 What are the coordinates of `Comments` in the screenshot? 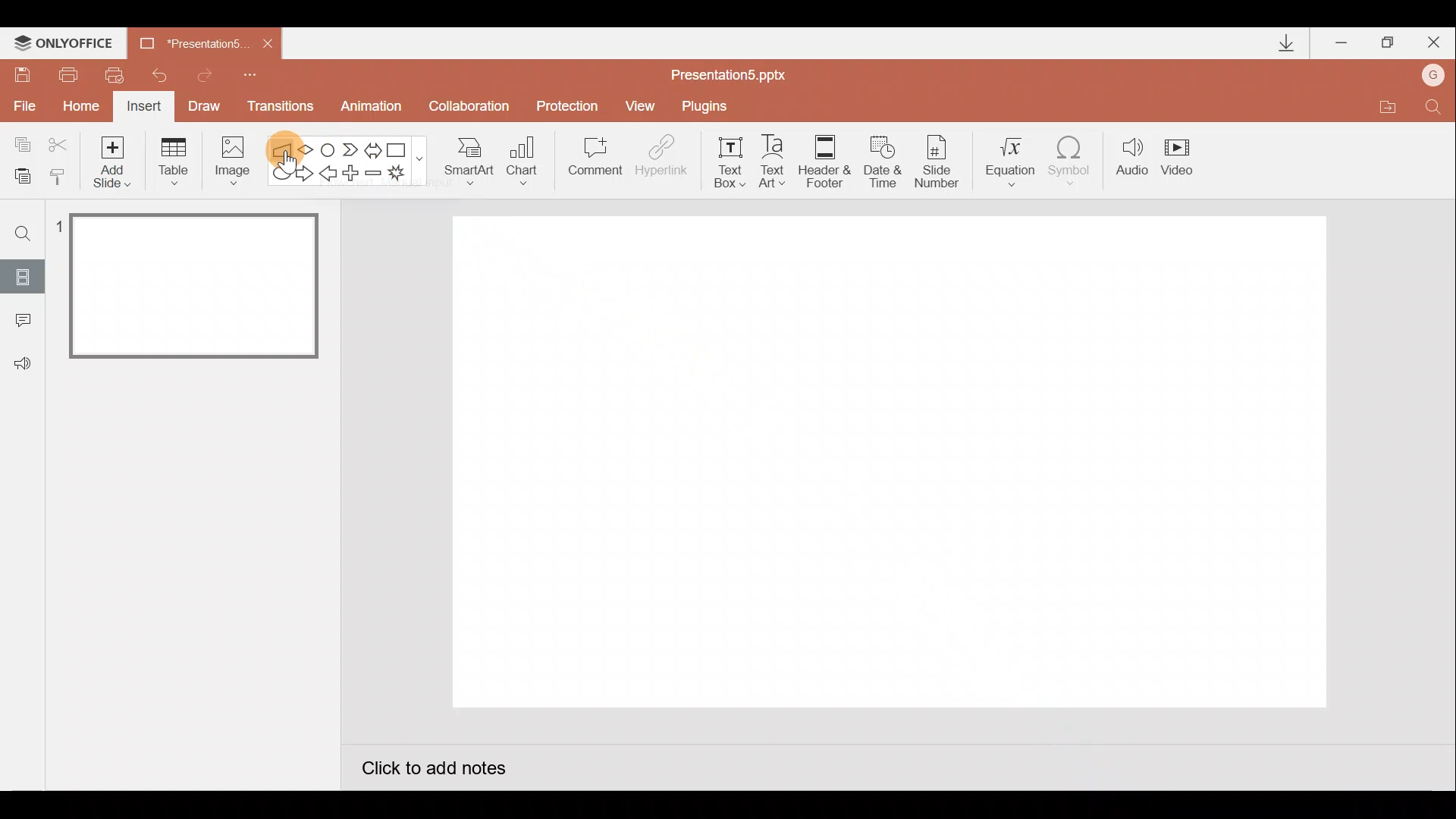 It's located at (19, 322).